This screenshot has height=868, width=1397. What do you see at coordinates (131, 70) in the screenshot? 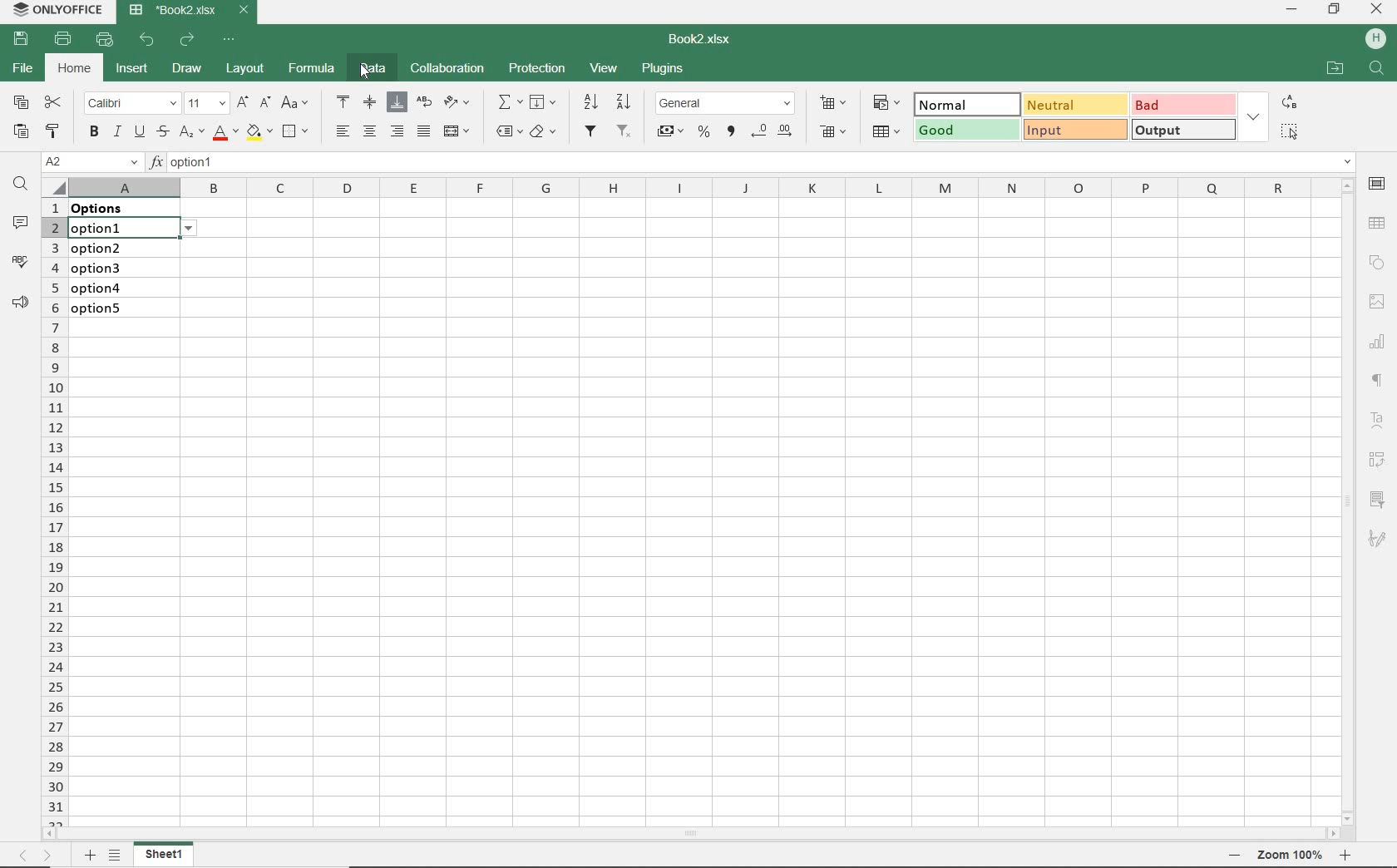
I see `INSERT` at bounding box center [131, 70].